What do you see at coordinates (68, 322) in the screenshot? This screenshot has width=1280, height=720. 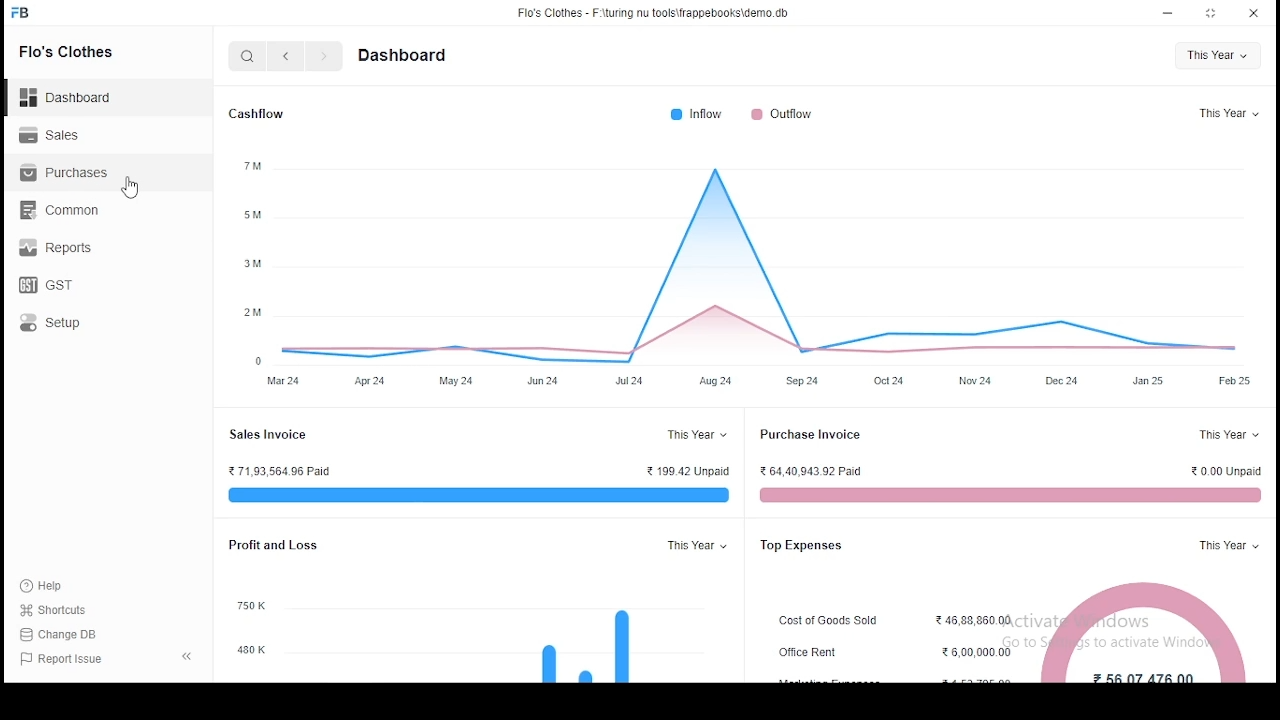 I see `setup` at bounding box center [68, 322].